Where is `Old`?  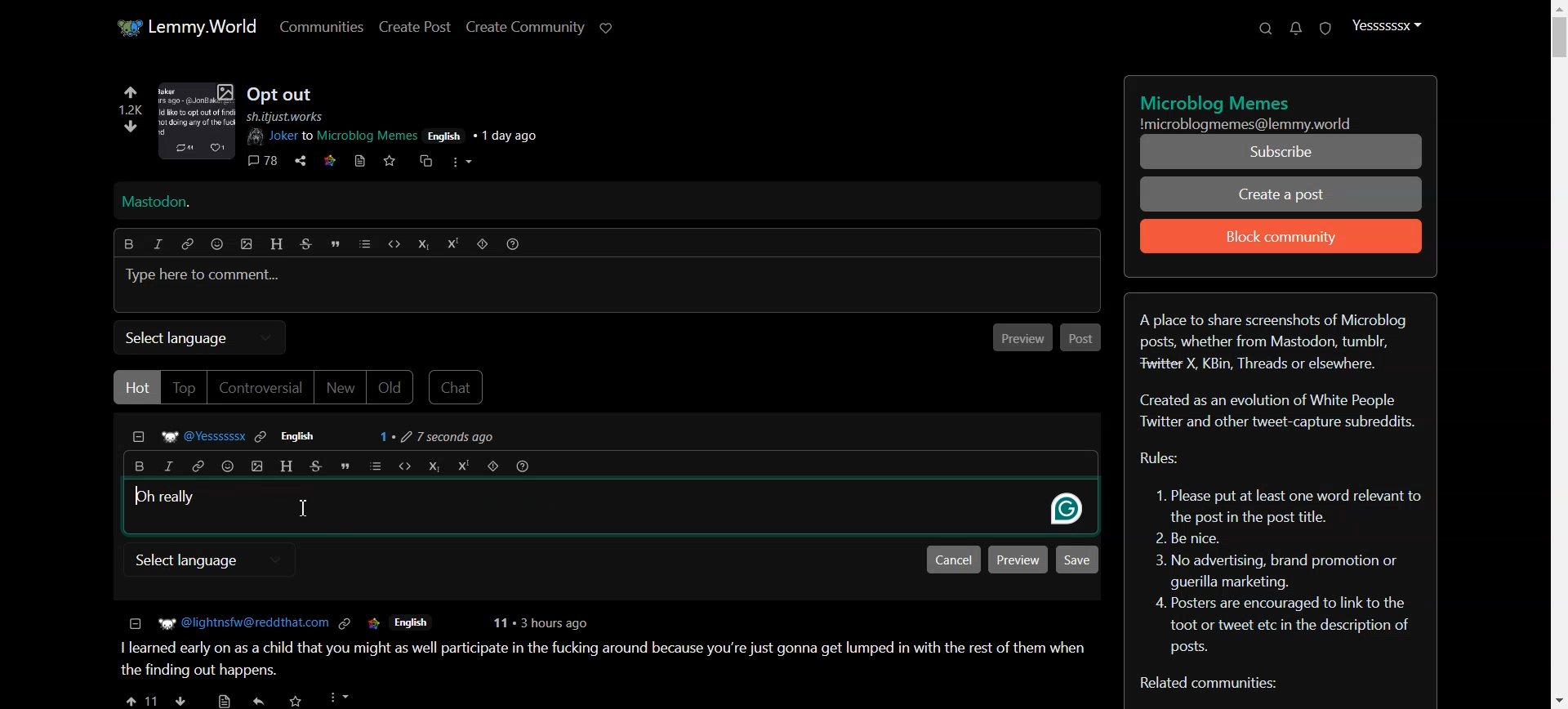
Old is located at coordinates (391, 387).